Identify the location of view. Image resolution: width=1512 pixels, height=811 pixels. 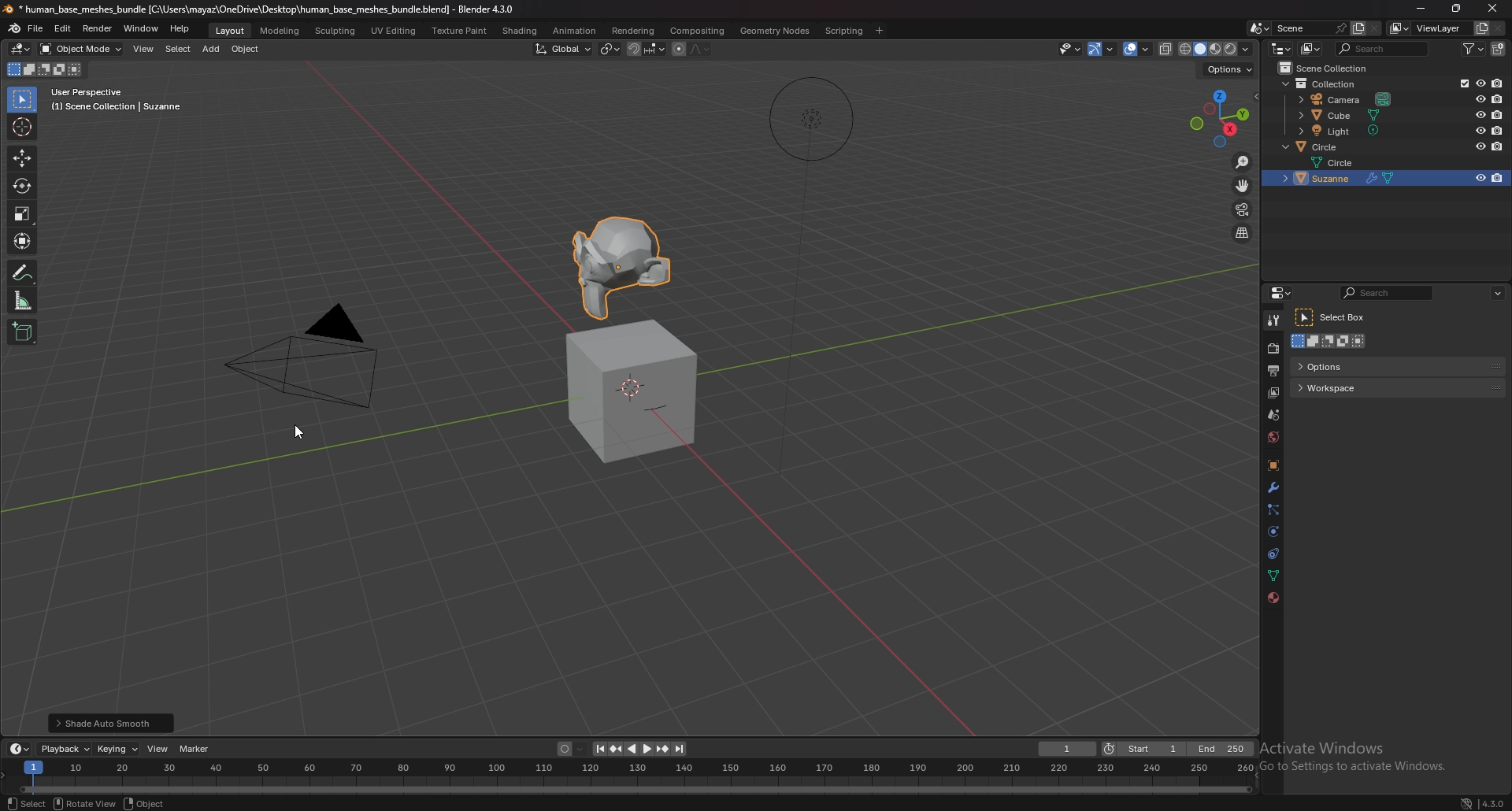
(158, 749).